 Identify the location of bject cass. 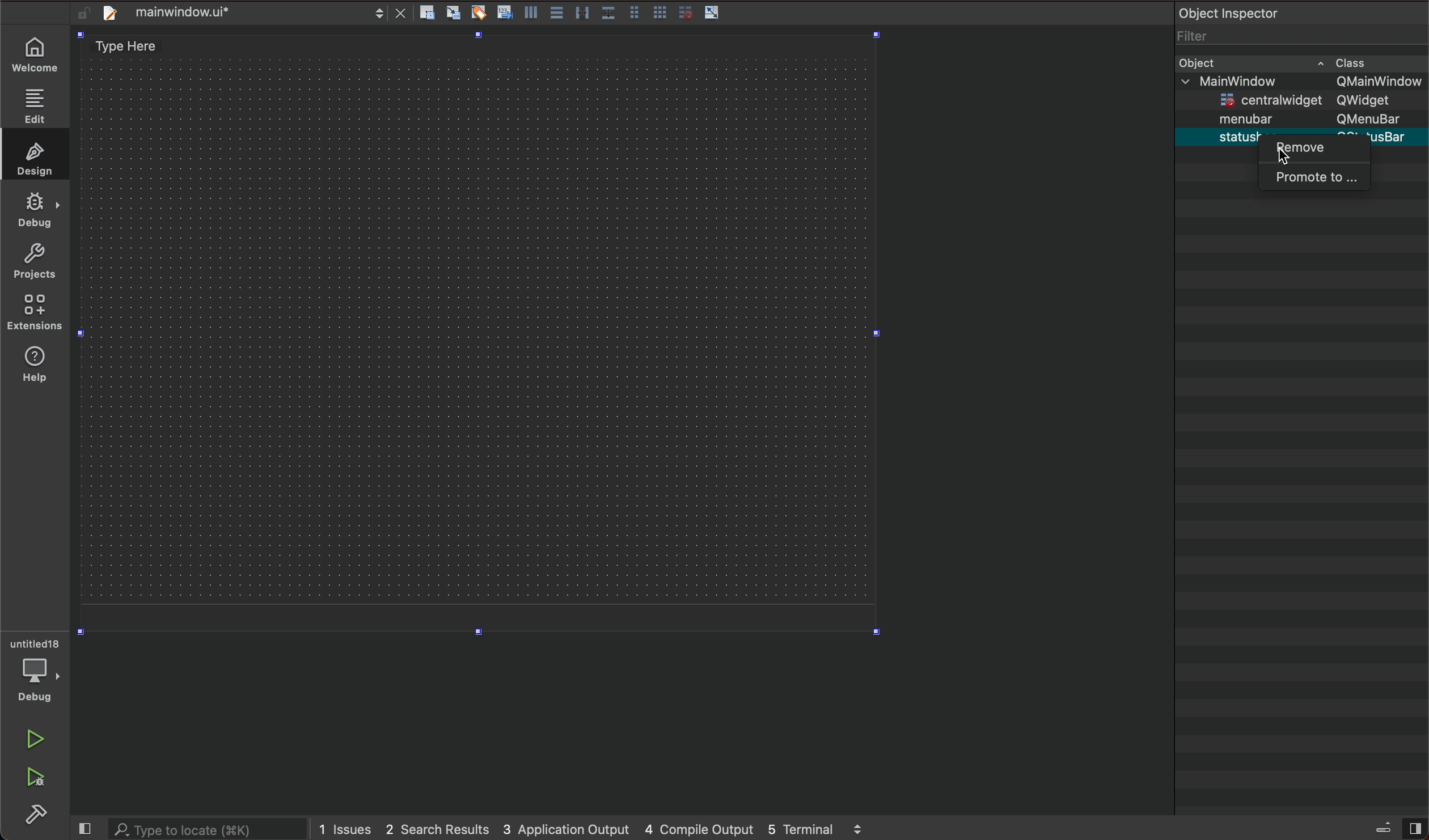
(1266, 62).